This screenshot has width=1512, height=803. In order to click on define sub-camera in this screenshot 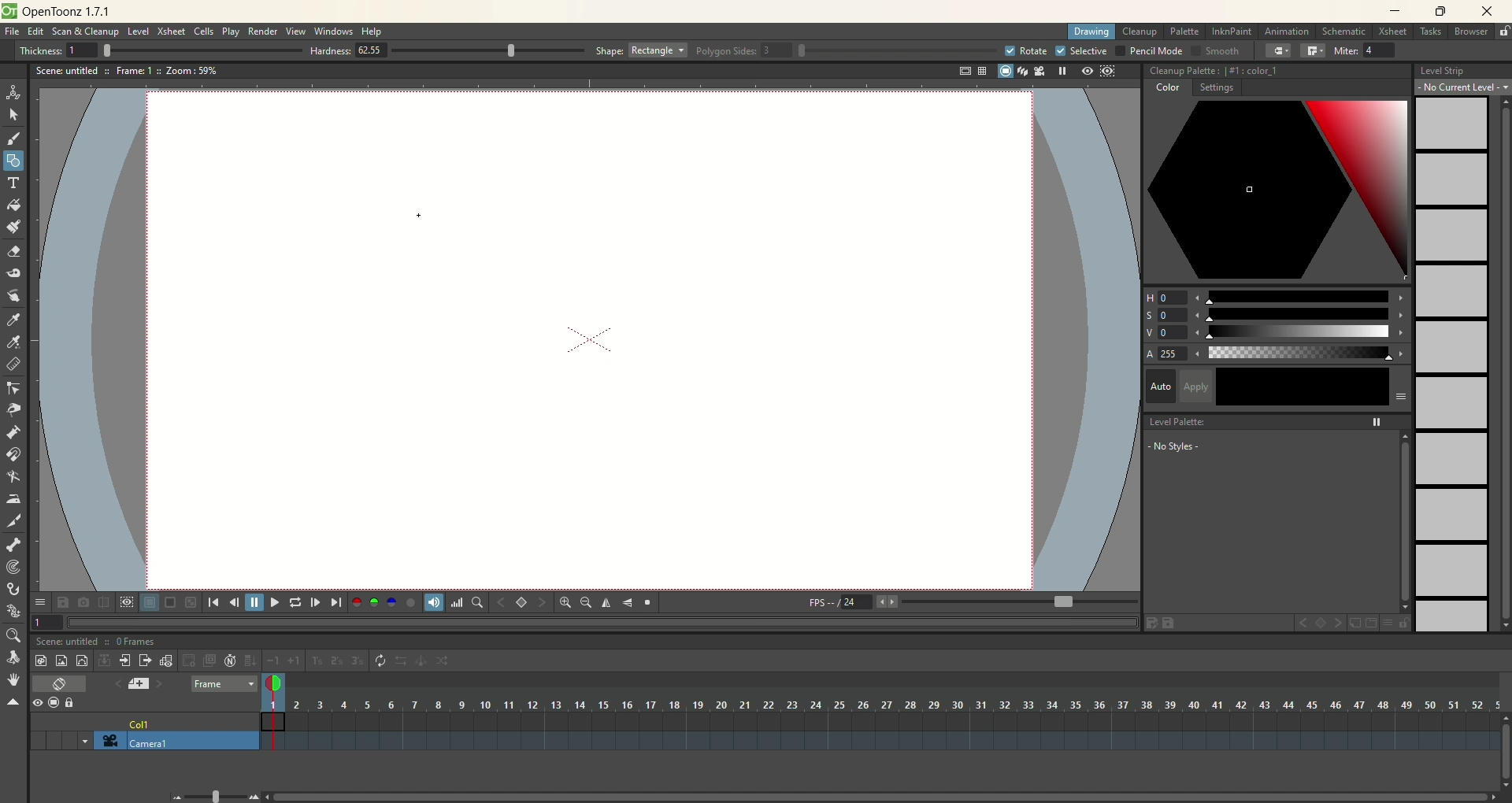, I will do `click(126, 601)`.